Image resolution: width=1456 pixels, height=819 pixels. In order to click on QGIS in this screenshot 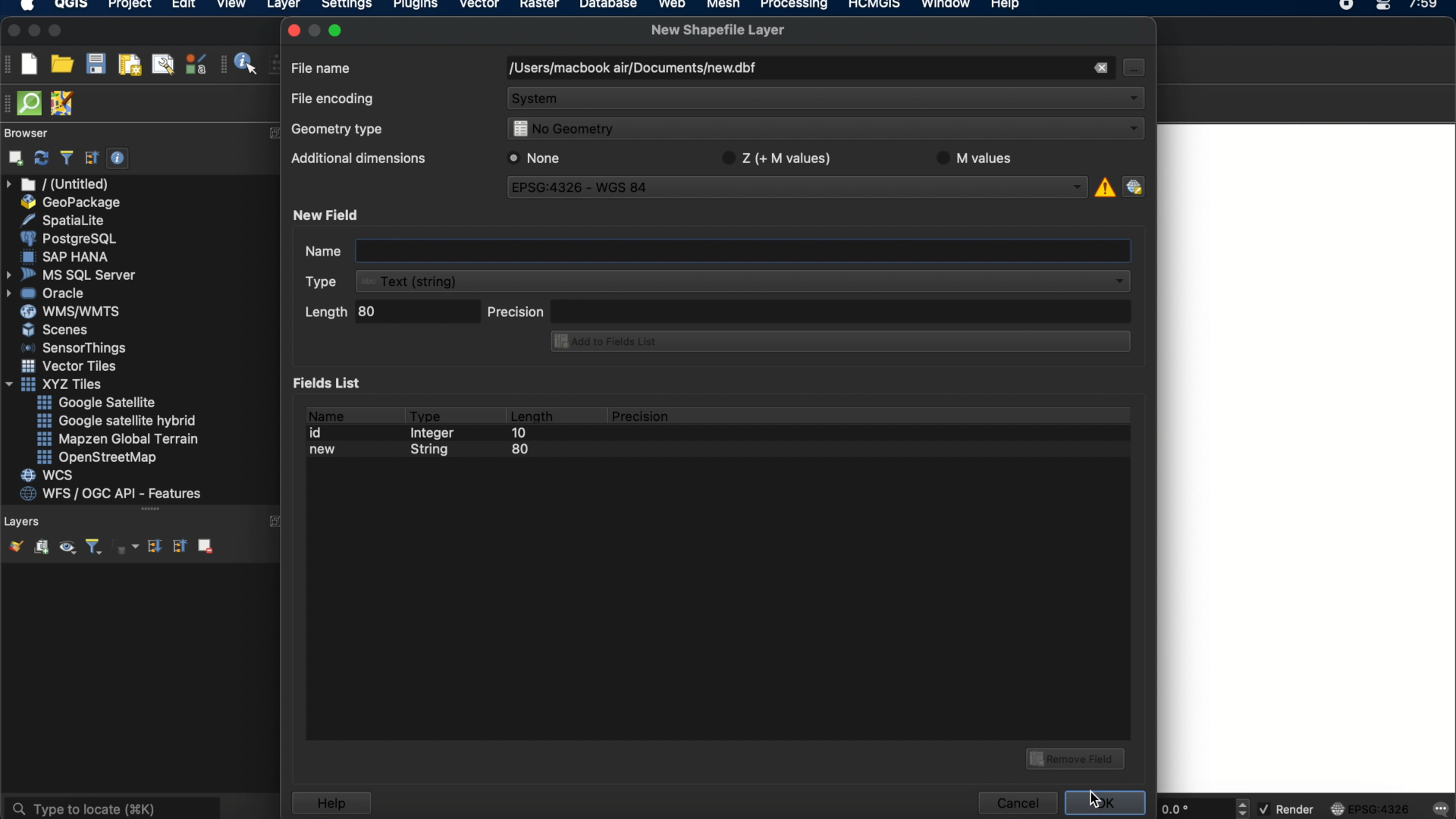, I will do `click(72, 6)`.